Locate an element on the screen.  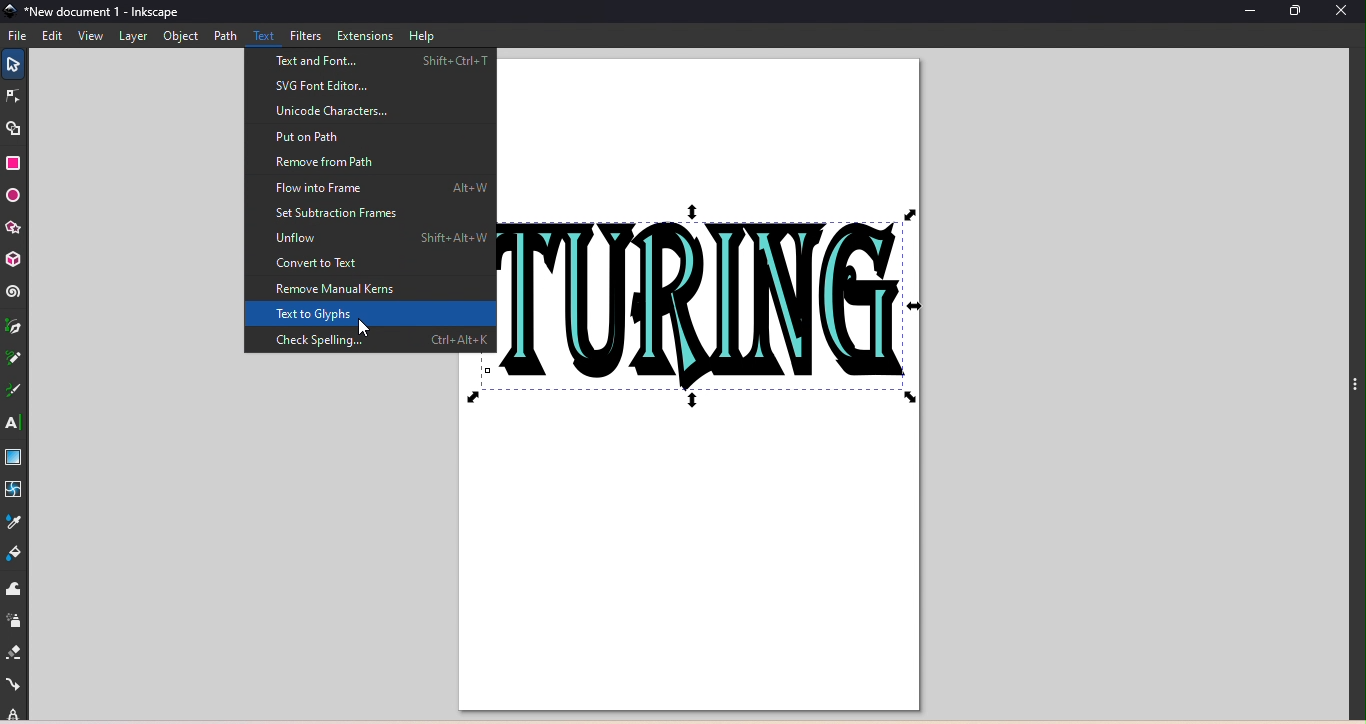
Remove from path is located at coordinates (369, 161).